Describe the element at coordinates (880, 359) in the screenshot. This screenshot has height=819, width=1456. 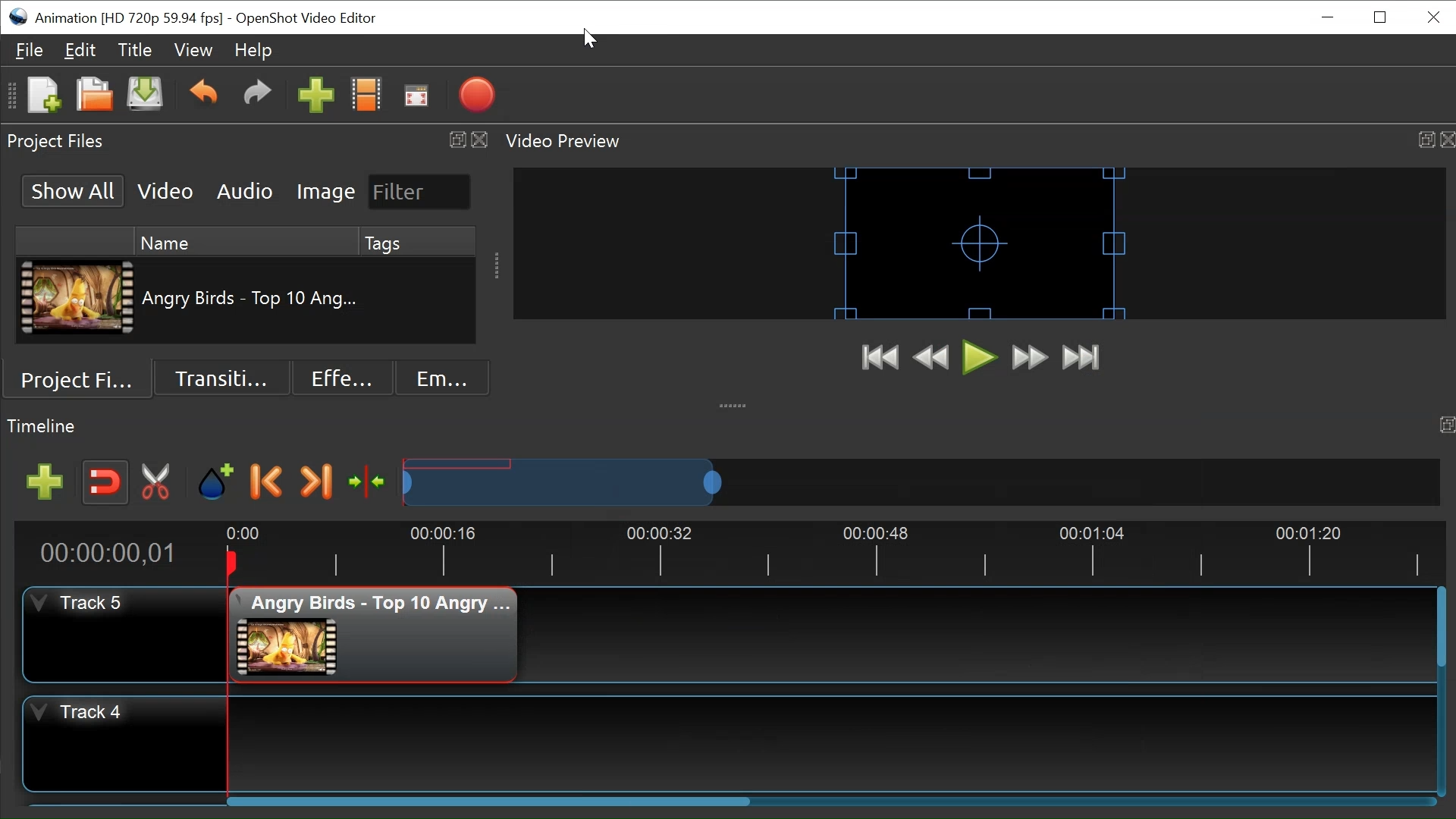
I see `Jump to Start` at that location.